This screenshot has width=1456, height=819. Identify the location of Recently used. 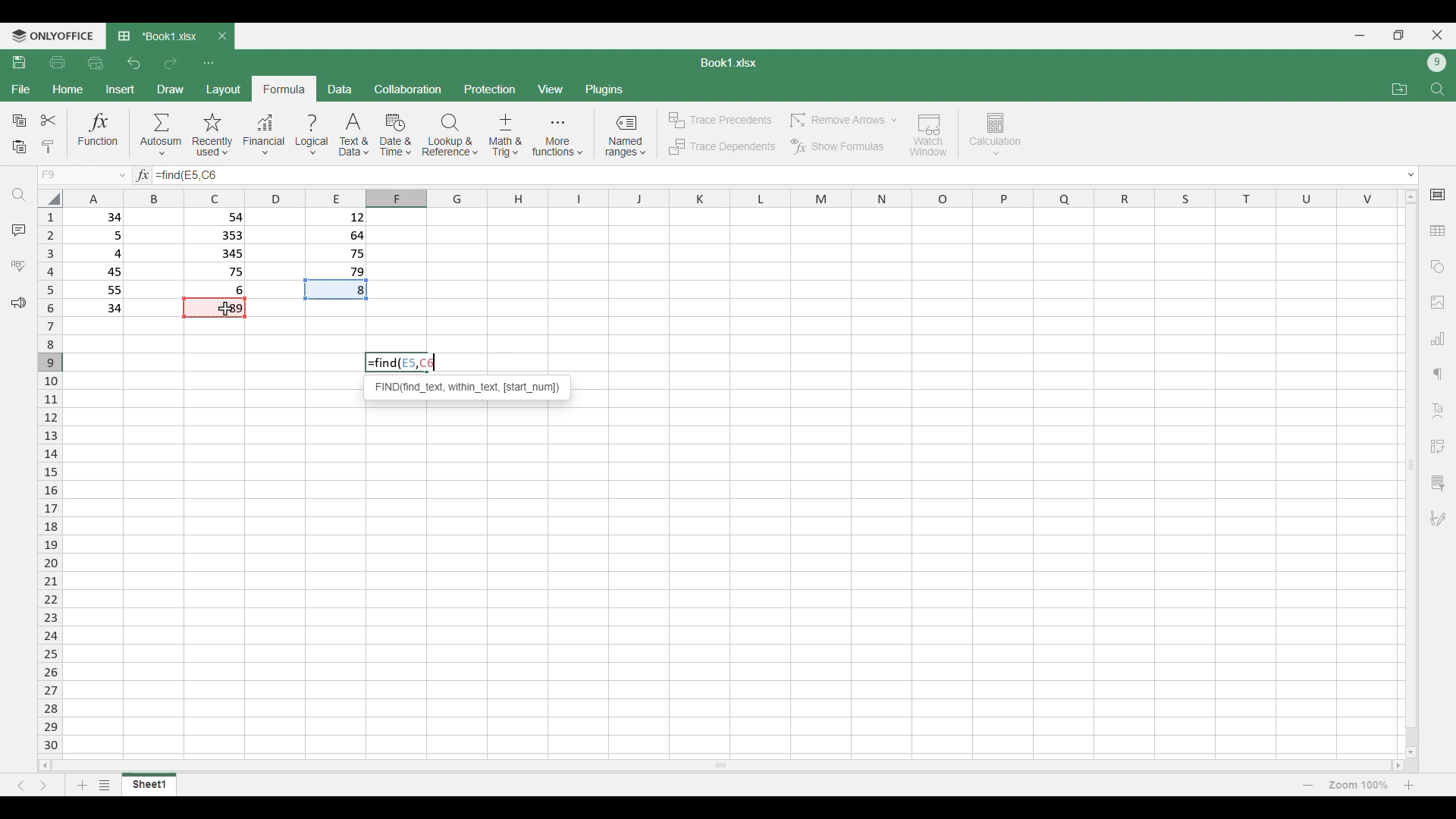
(213, 135).